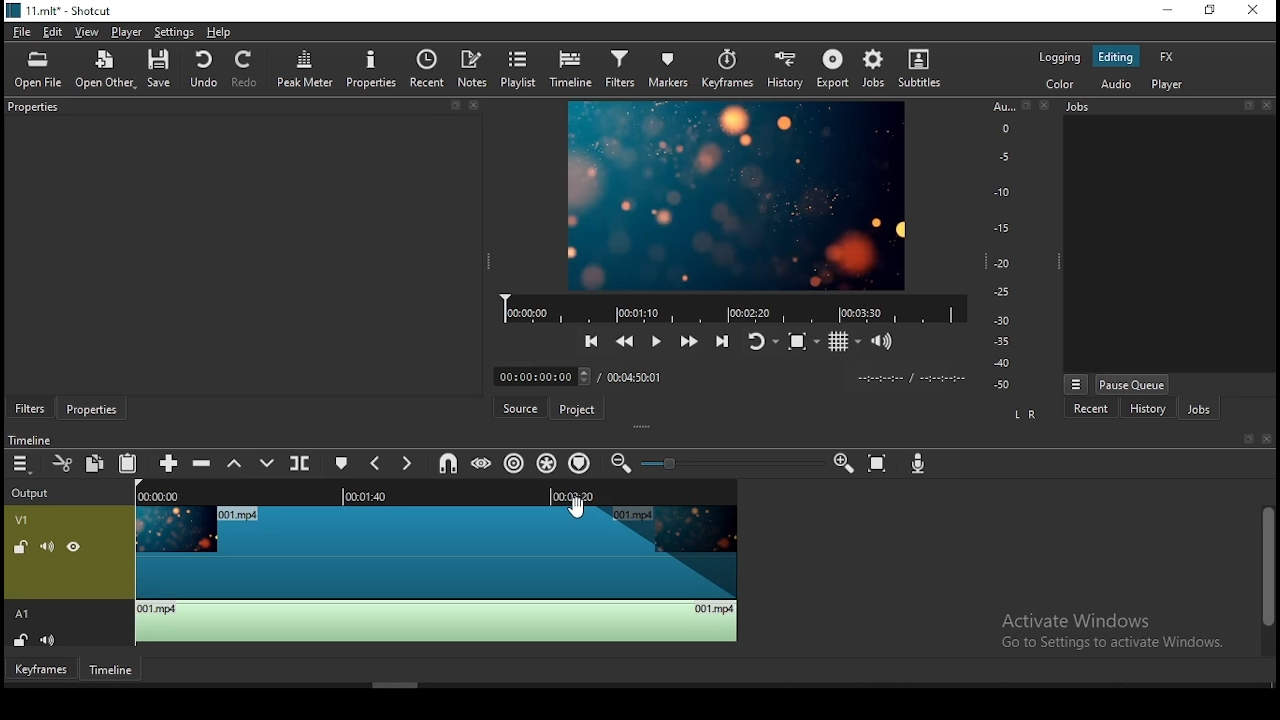 This screenshot has width=1280, height=720. What do you see at coordinates (377, 624) in the screenshot?
I see `audio track` at bounding box center [377, 624].